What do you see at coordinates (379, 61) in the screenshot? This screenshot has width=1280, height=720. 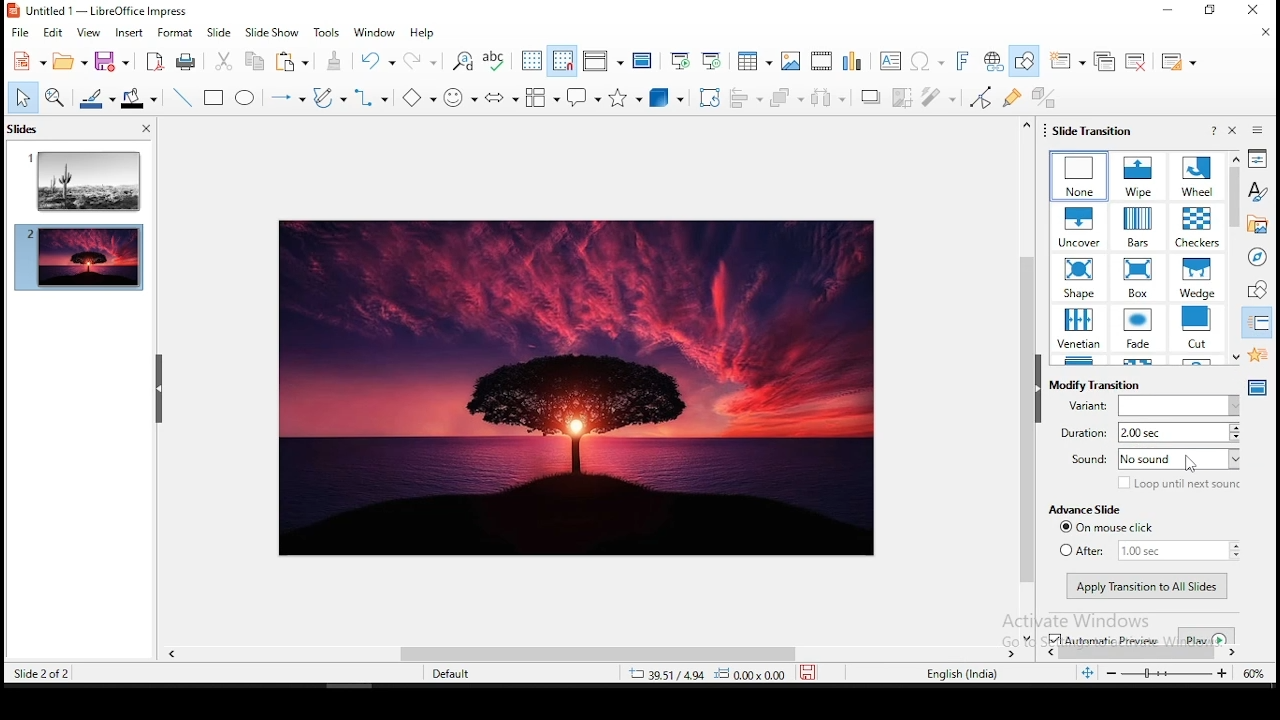 I see `undo` at bounding box center [379, 61].